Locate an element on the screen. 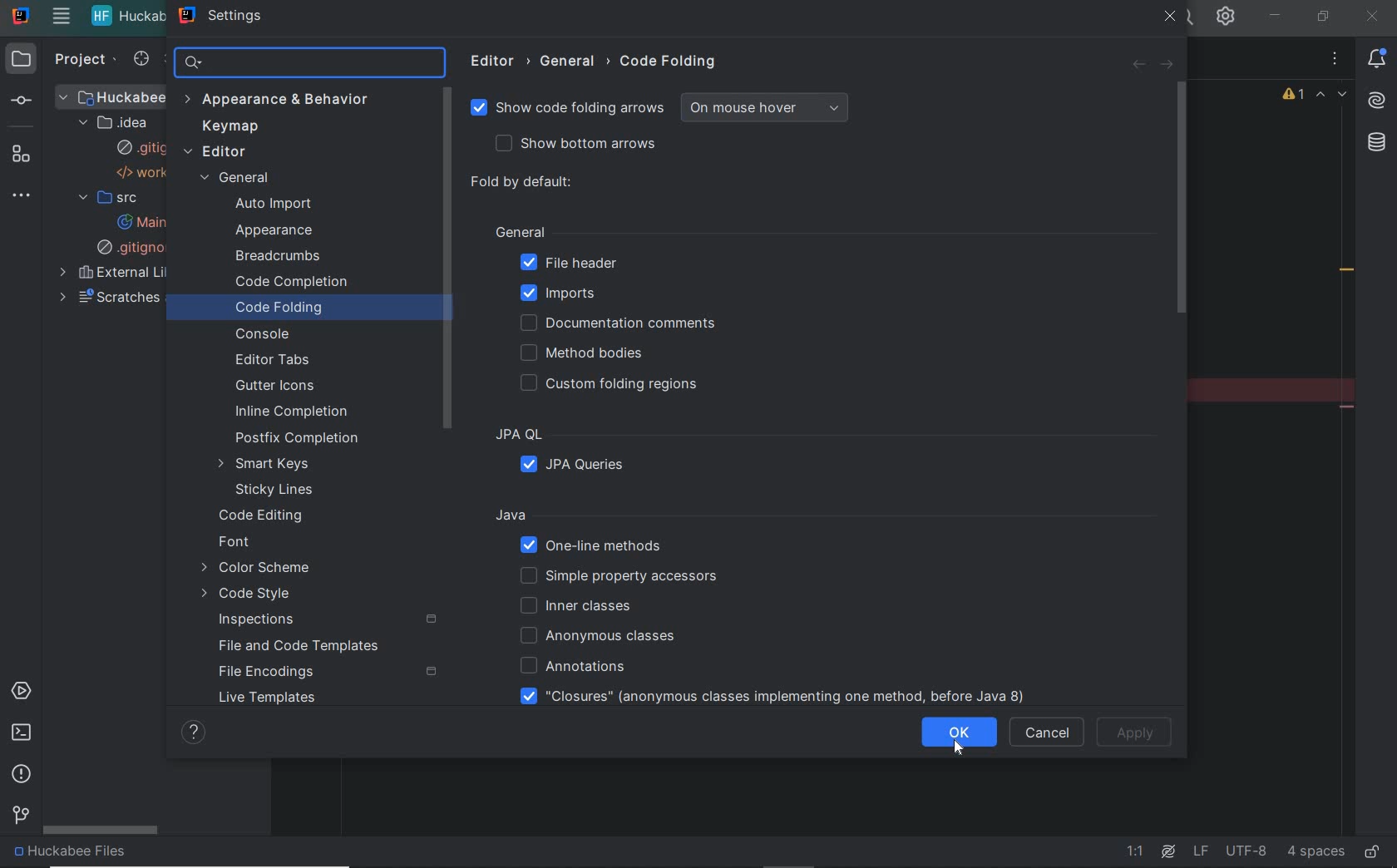 The width and height of the screenshot is (1397, 868). code completion is located at coordinates (289, 282).